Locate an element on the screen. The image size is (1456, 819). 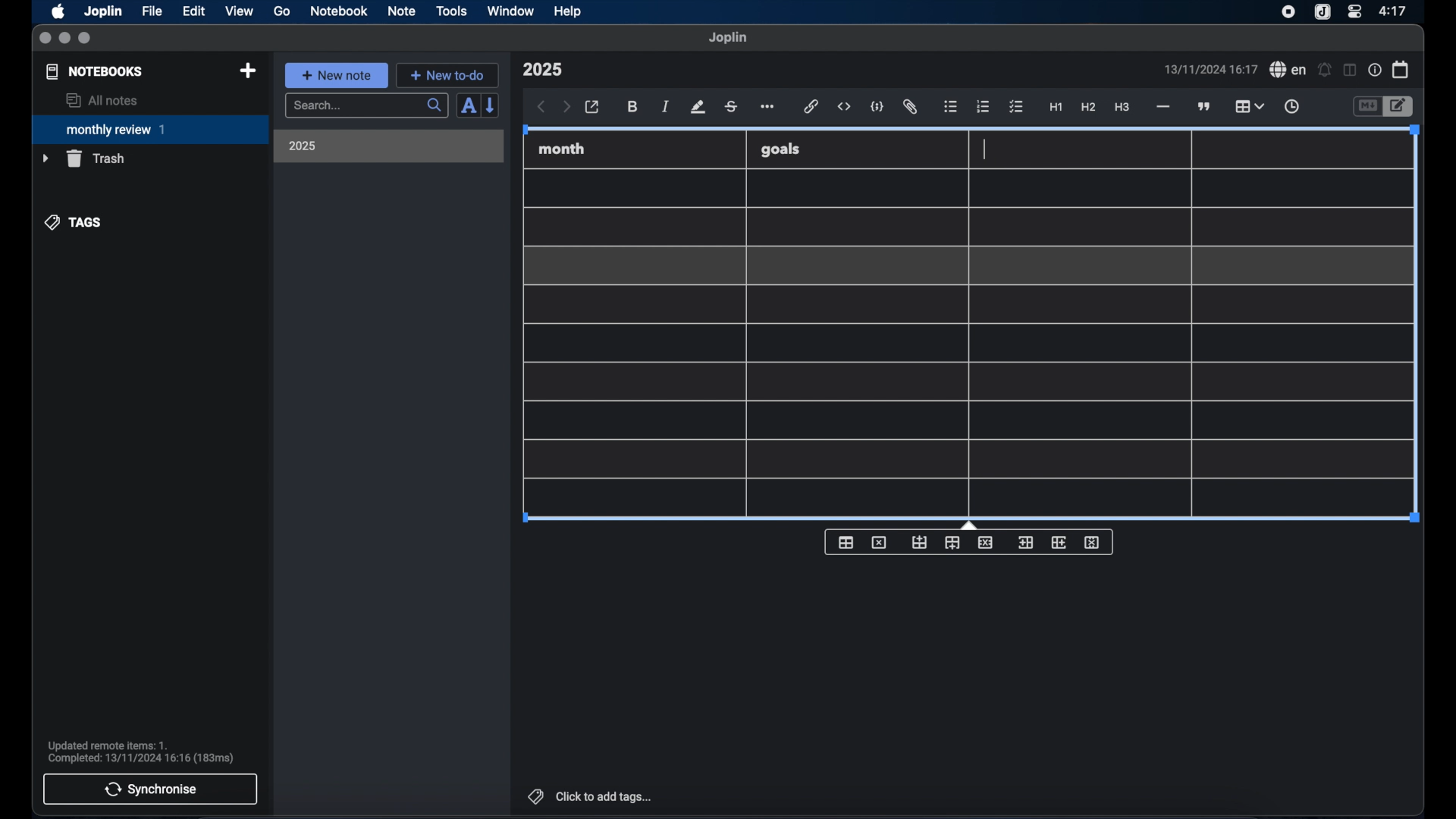
text cursor is located at coordinates (984, 149).